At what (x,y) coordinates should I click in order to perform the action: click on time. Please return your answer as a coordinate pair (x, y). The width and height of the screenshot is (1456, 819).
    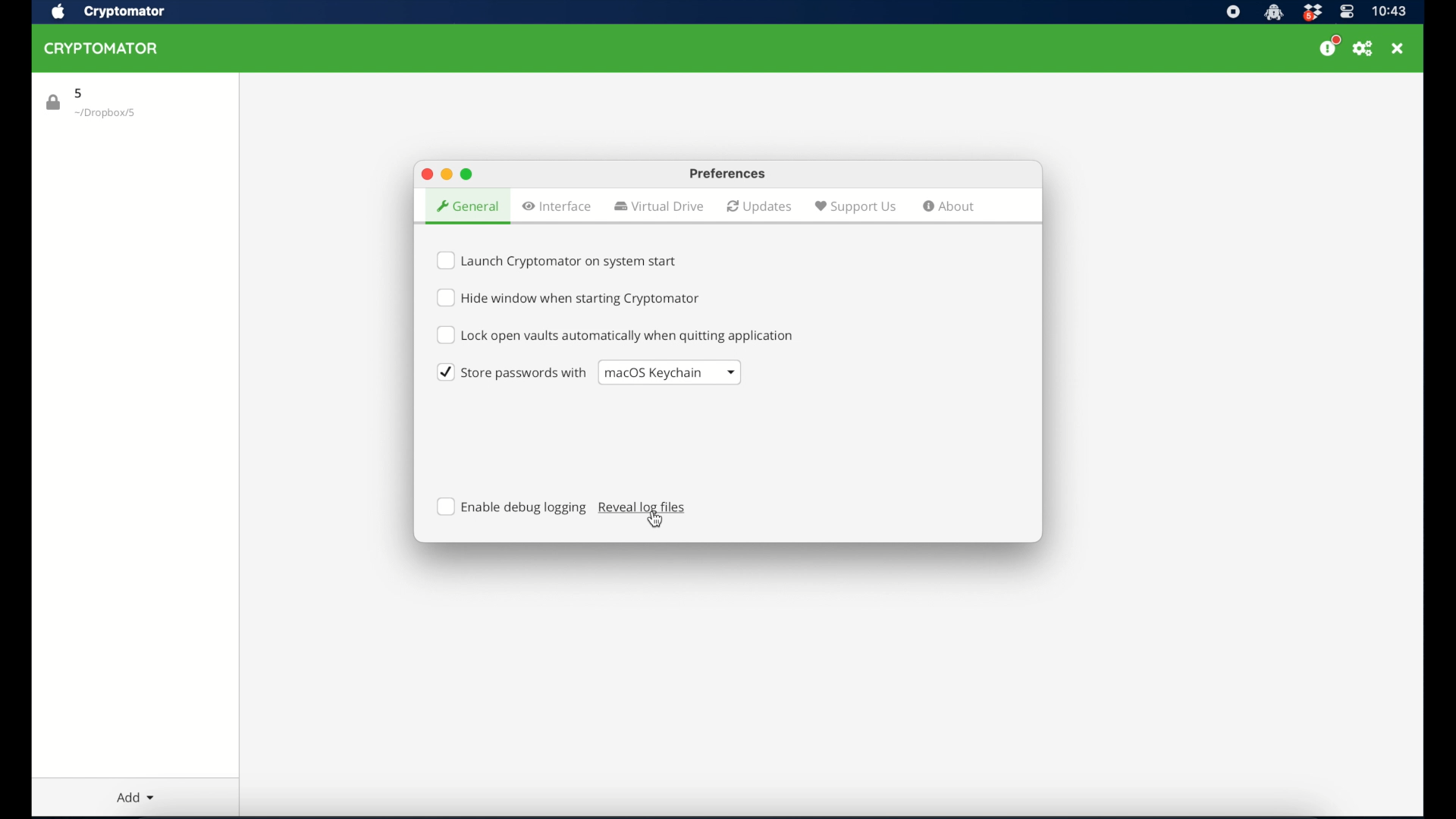
    Looking at the image, I should click on (1390, 11).